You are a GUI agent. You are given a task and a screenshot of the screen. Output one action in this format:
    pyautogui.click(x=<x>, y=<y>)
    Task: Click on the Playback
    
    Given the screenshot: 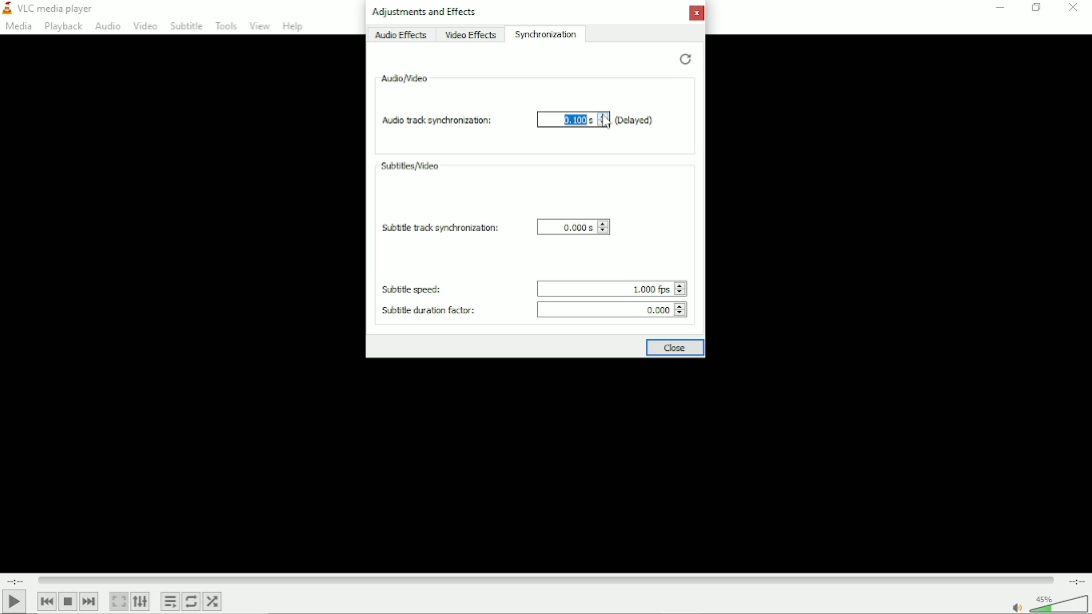 What is the action you would take?
    pyautogui.click(x=65, y=27)
    